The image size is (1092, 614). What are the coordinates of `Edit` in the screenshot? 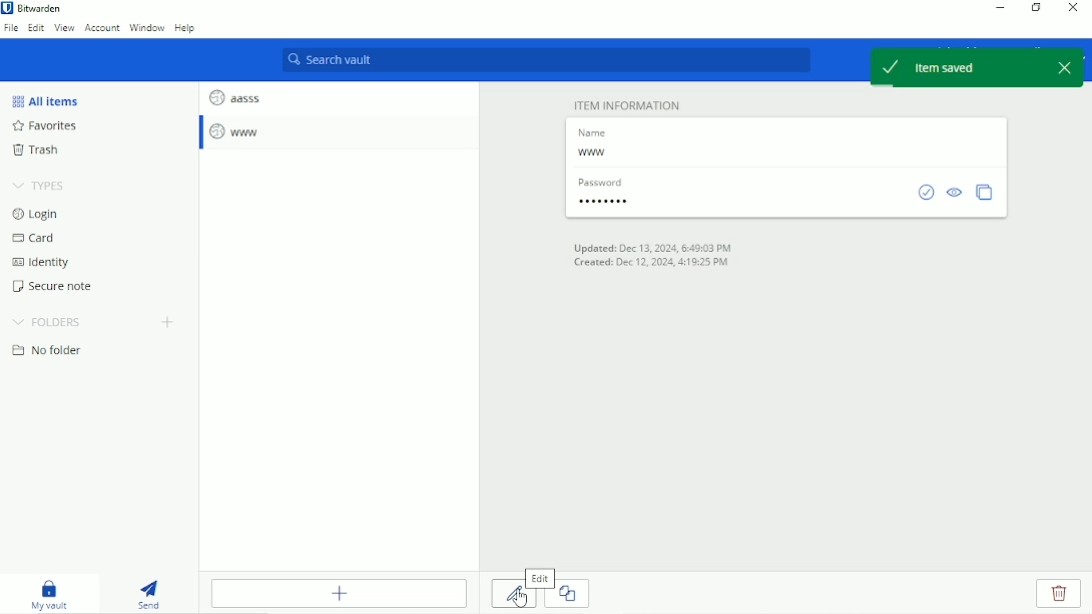 It's located at (541, 578).